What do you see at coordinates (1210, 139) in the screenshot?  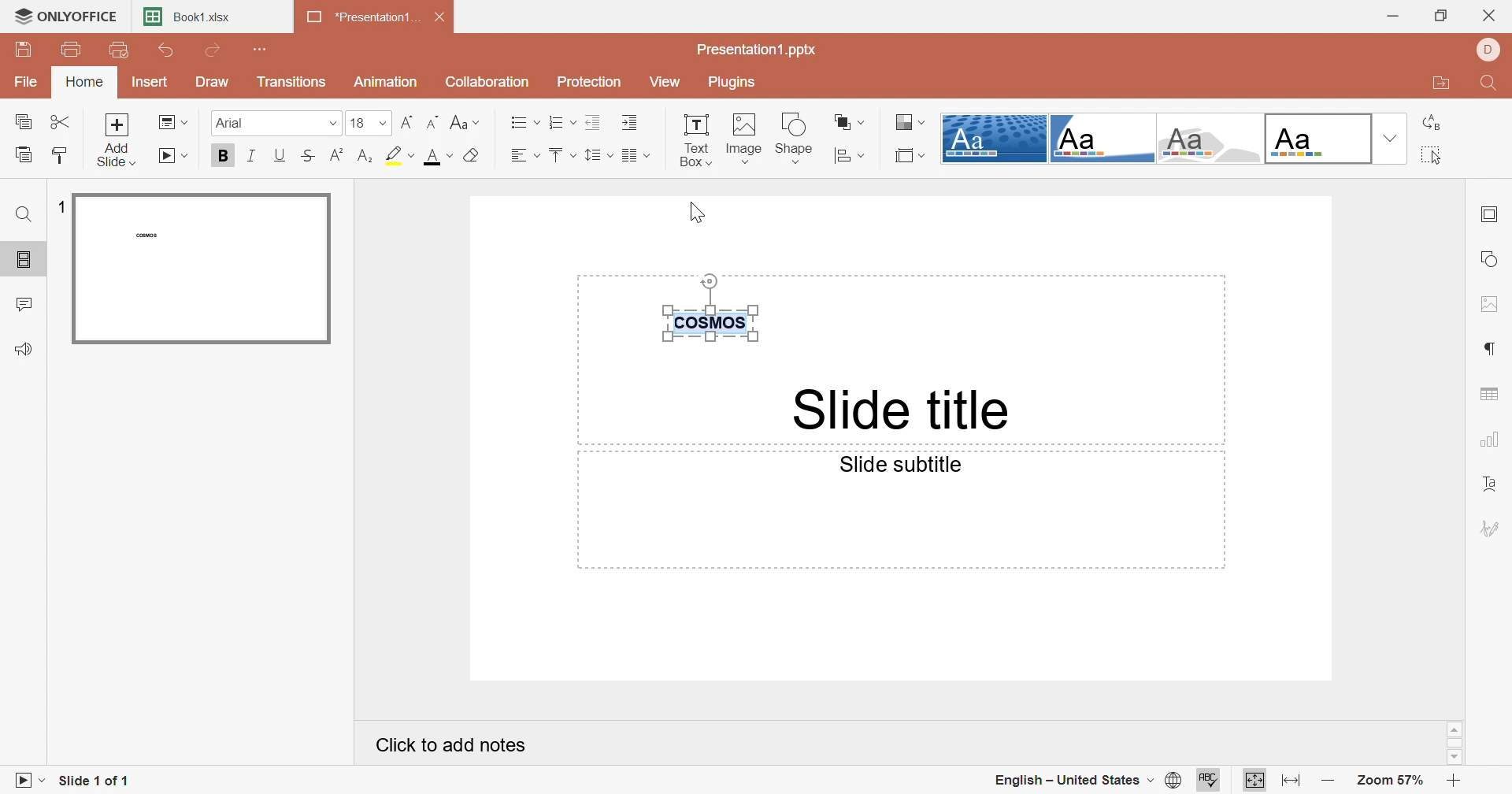 I see `Turtle` at bounding box center [1210, 139].